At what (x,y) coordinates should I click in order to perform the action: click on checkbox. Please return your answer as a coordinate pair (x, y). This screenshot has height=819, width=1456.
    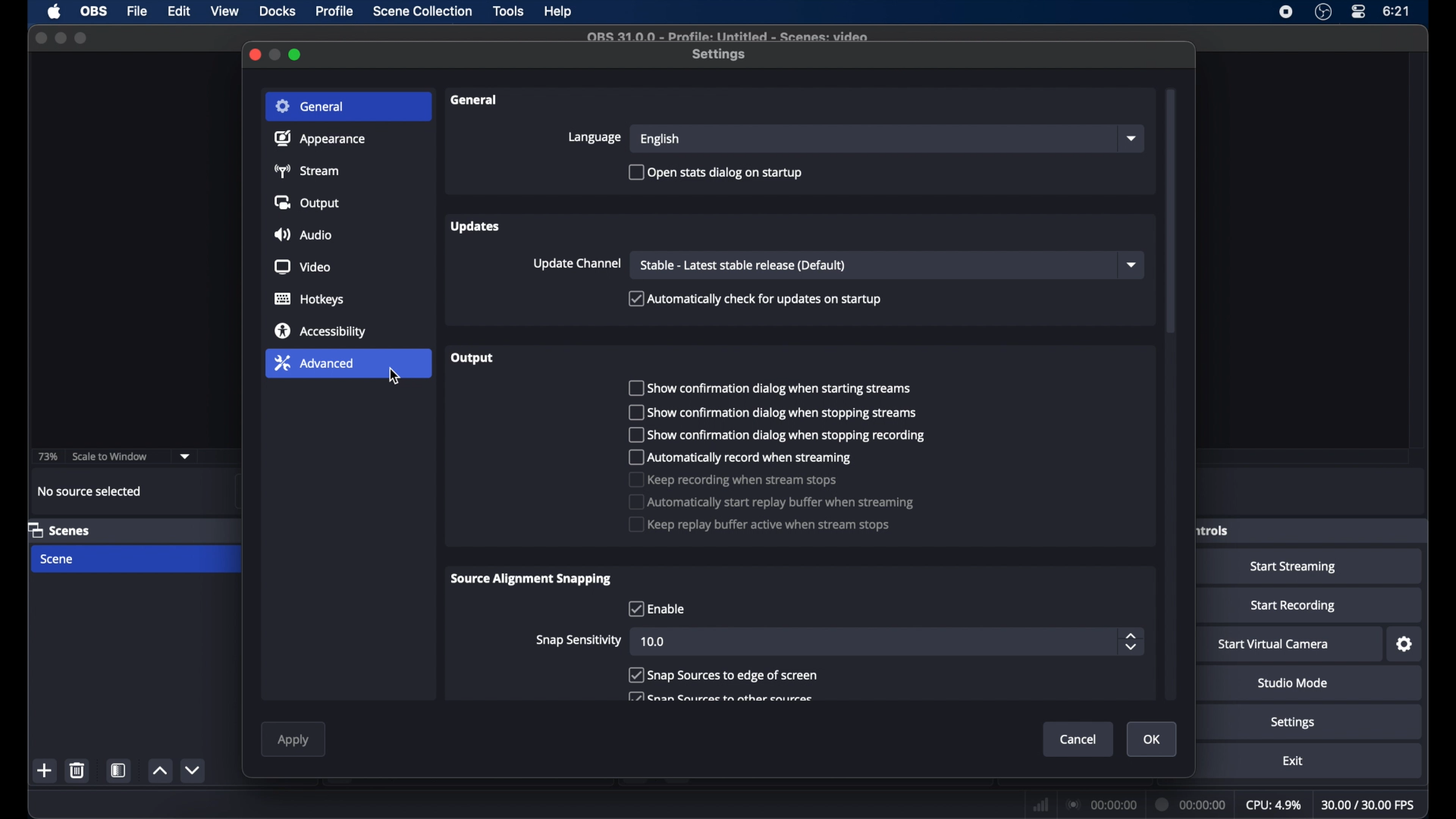
    Looking at the image, I should click on (655, 608).